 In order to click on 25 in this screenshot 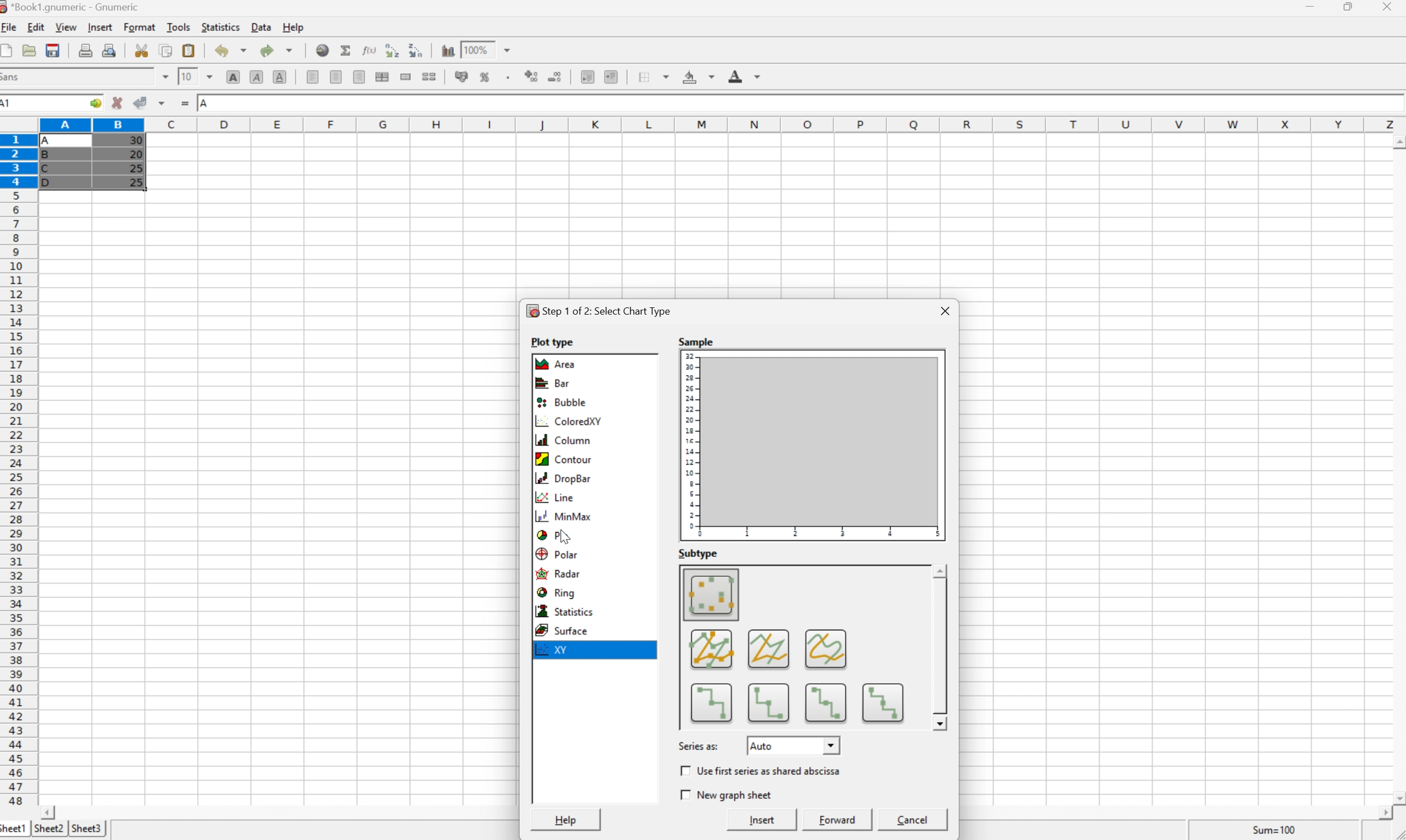, I will do `click(138, 182)`.